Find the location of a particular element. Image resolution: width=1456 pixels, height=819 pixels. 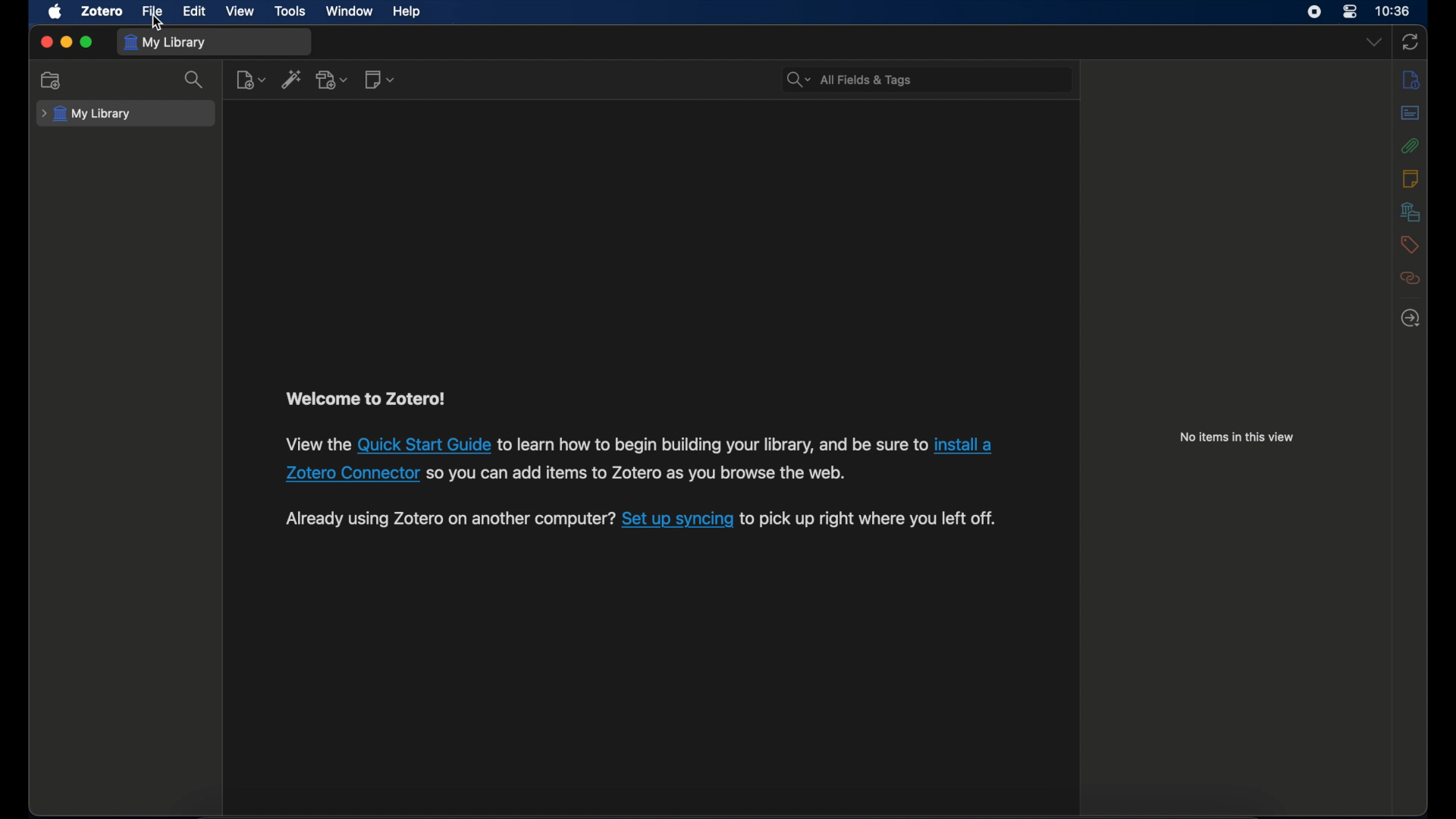

search bar is located at coordinates (848, 79).